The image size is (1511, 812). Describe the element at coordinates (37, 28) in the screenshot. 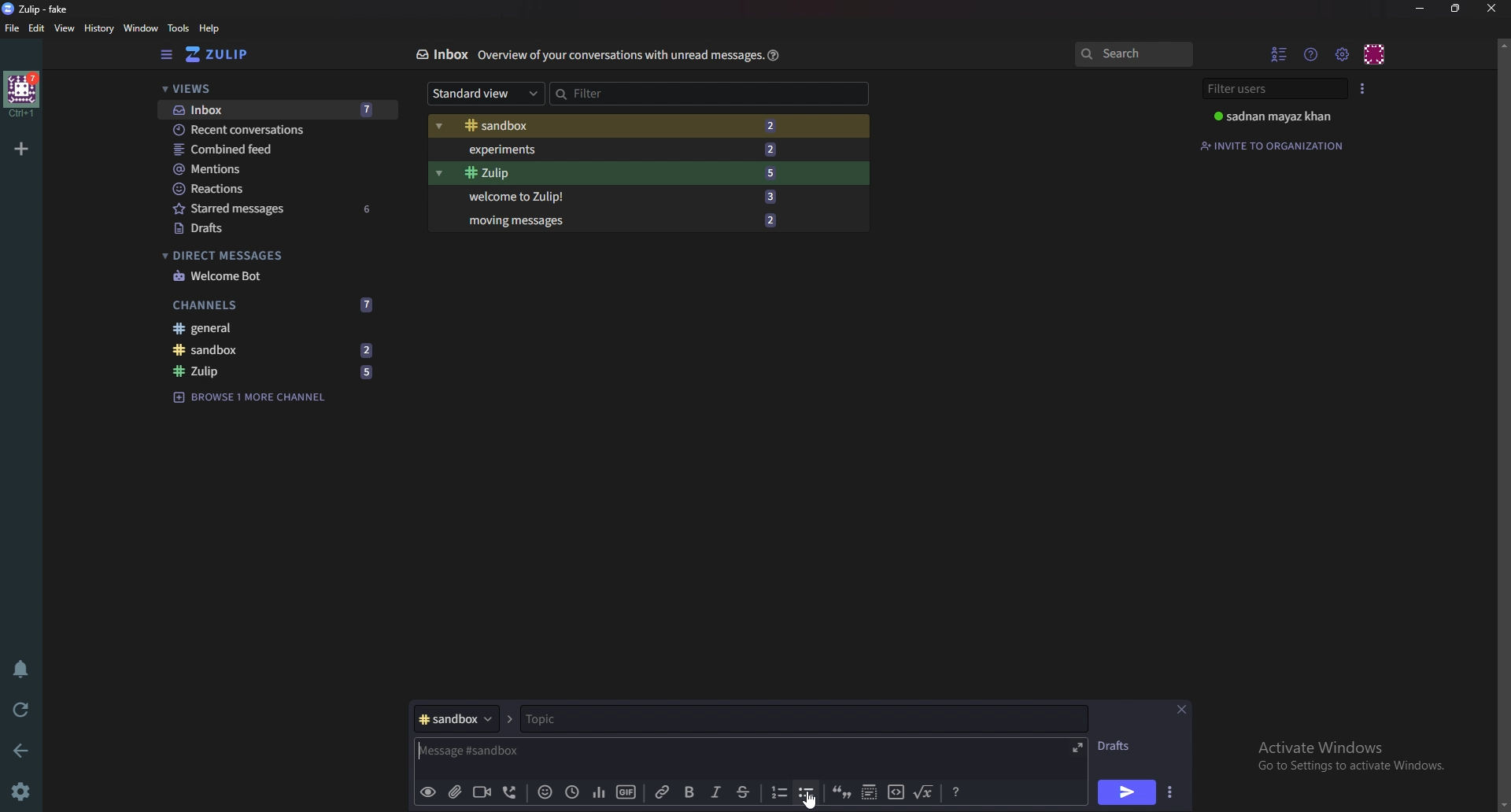

I see `Edit` at that location.